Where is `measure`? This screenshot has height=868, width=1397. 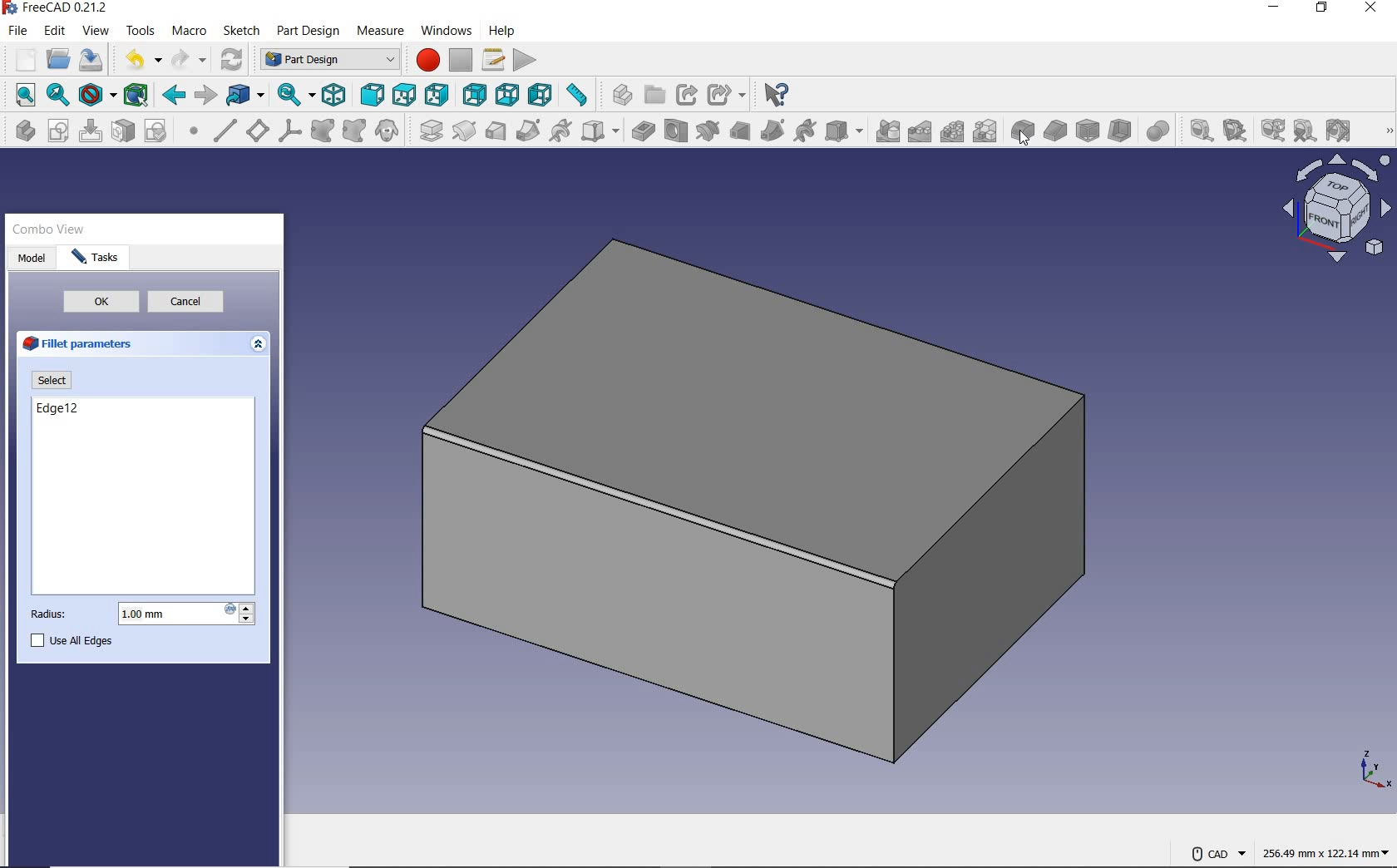
measure is located at coordinates (384, 32).